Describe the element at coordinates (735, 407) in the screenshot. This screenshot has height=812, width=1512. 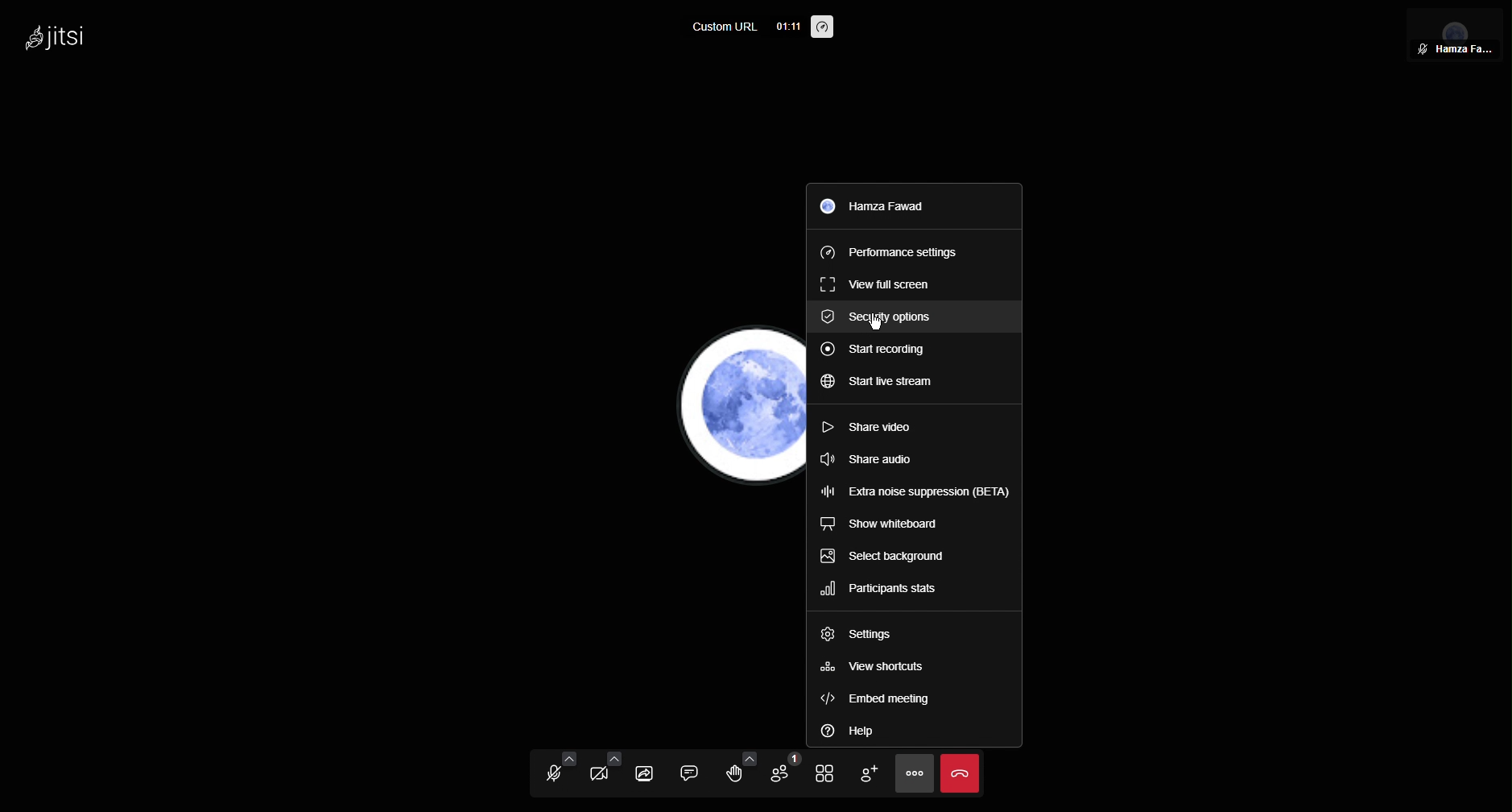
I see `Account PFP` at that location.